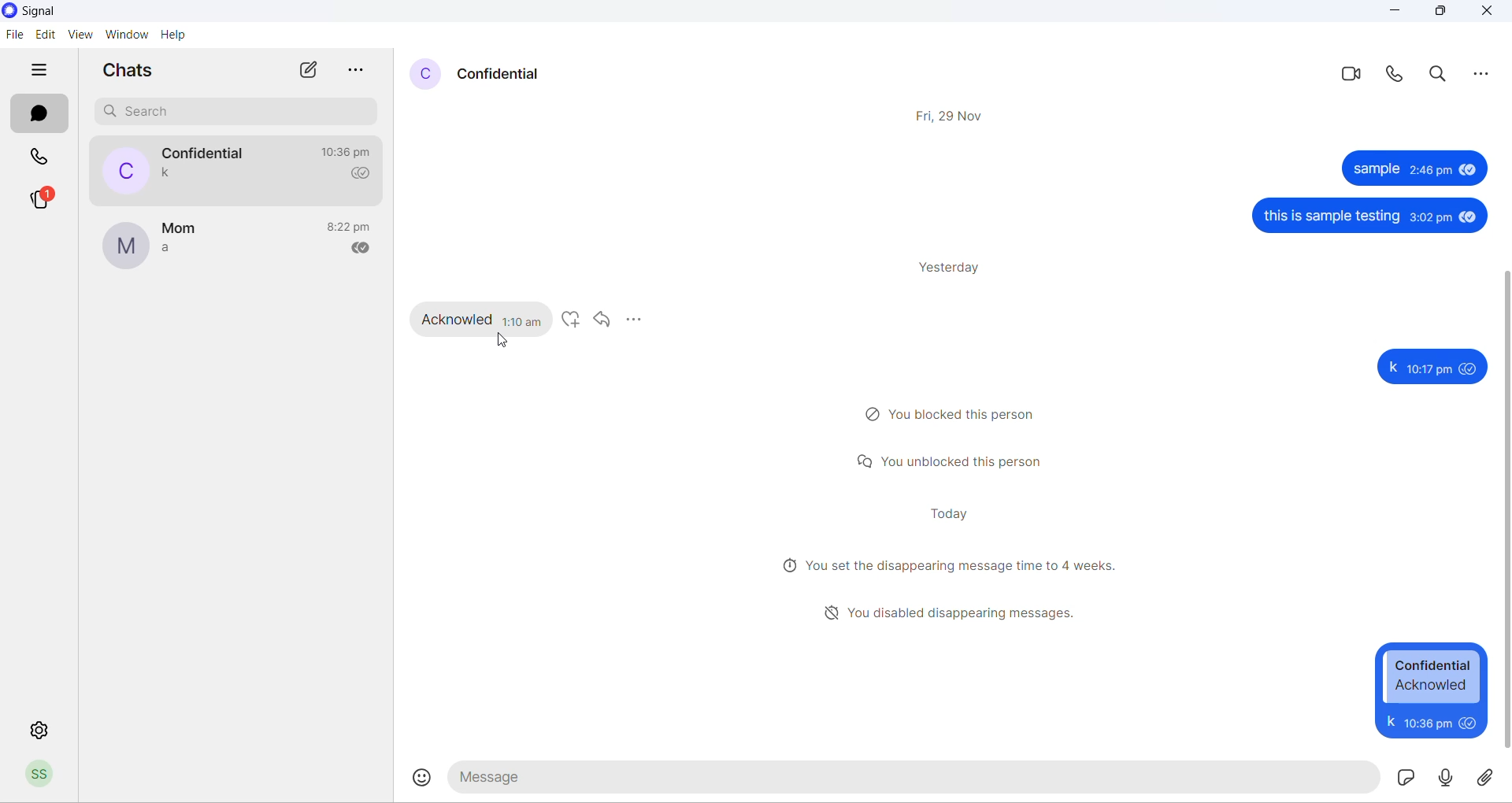  Describe the element at coordinates (1463, 169) in the screenshot. I see `seen` at that location.